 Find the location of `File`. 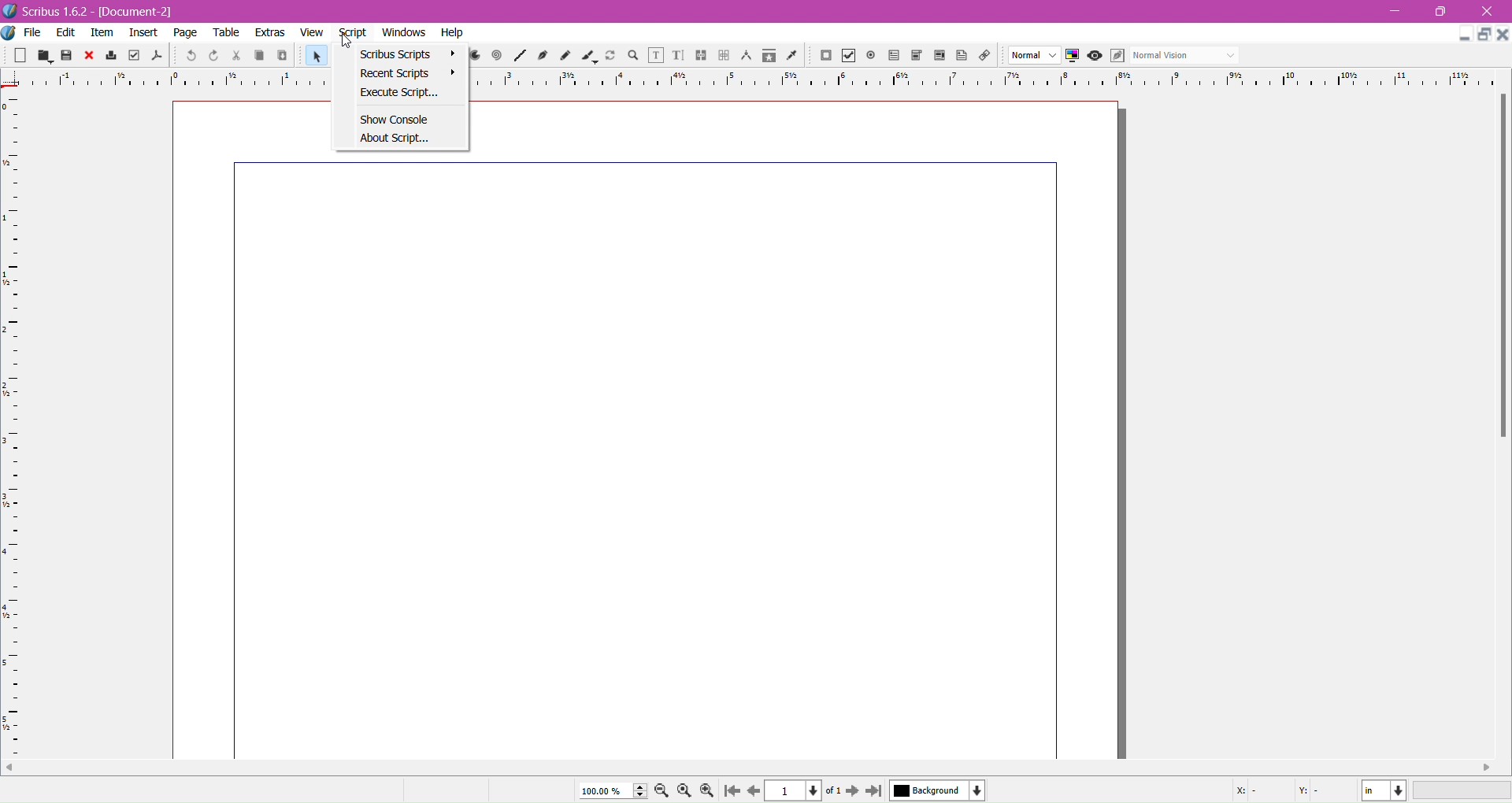

File is located at coordinates (34, 33).